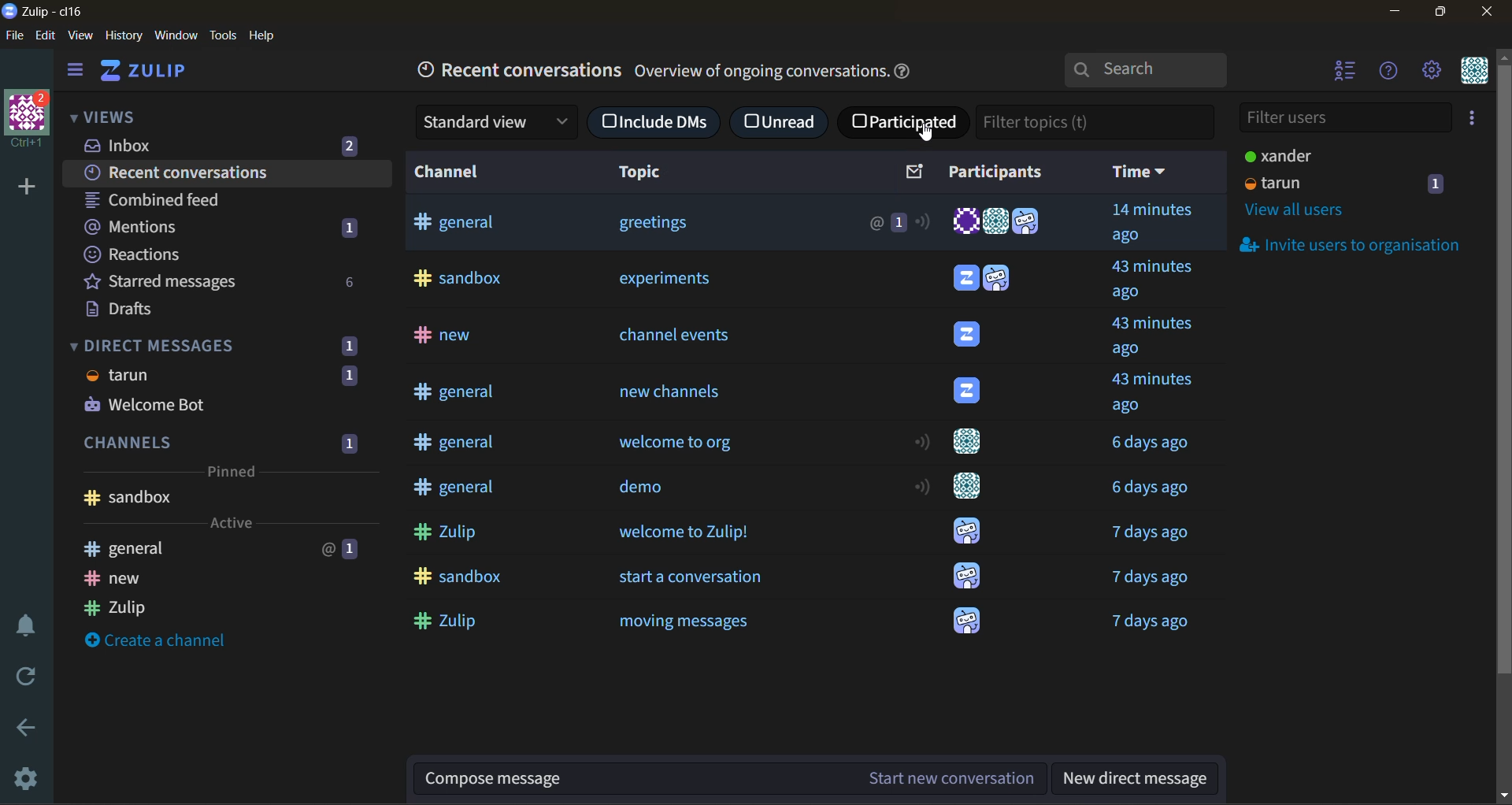 The image size is (1512, 805). Describe the element at coordinates (224, 35) in the screenshot. I see `tools` at that location.